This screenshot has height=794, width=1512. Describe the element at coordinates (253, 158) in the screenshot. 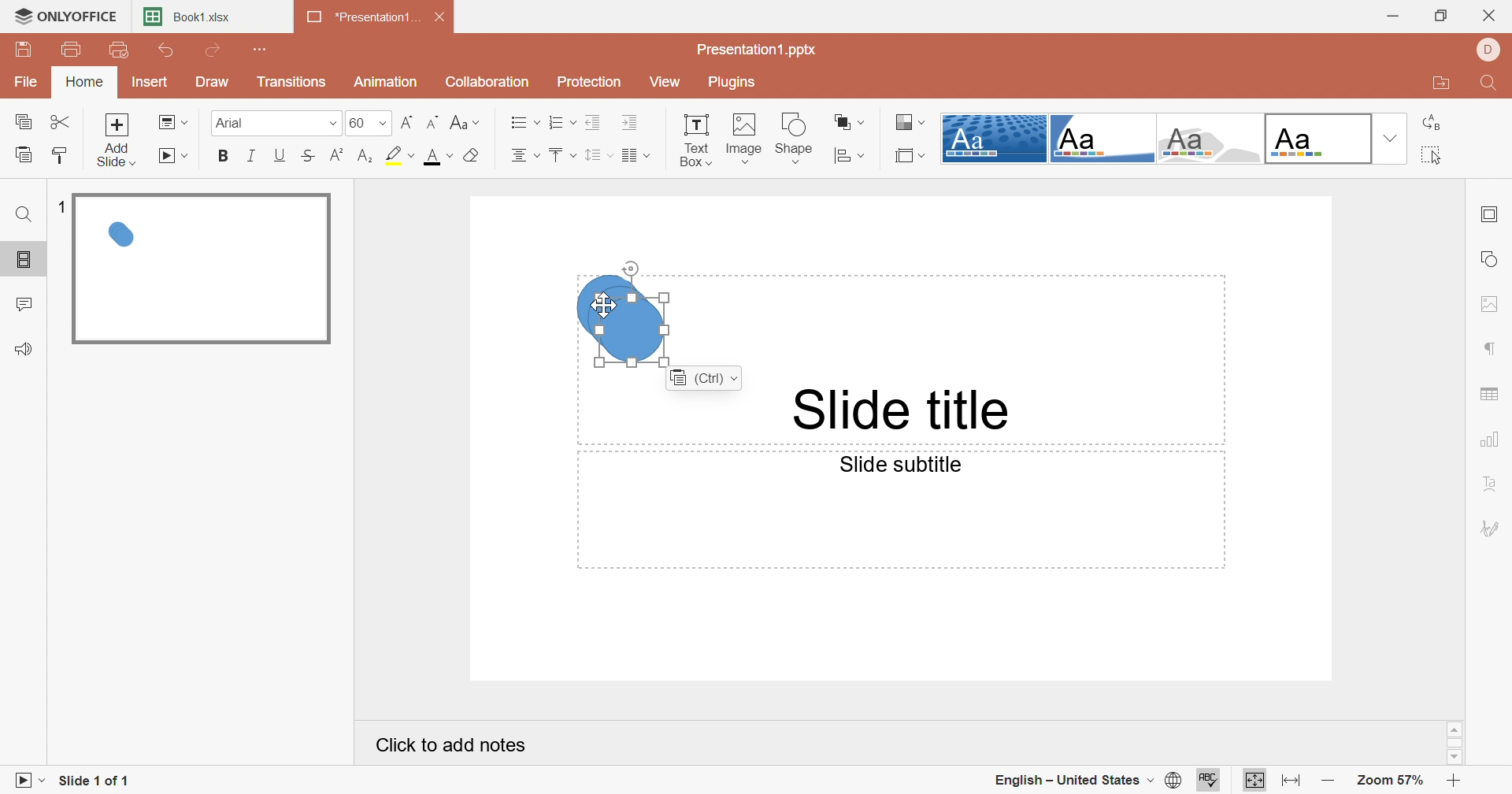

I see `Italic` at that location.